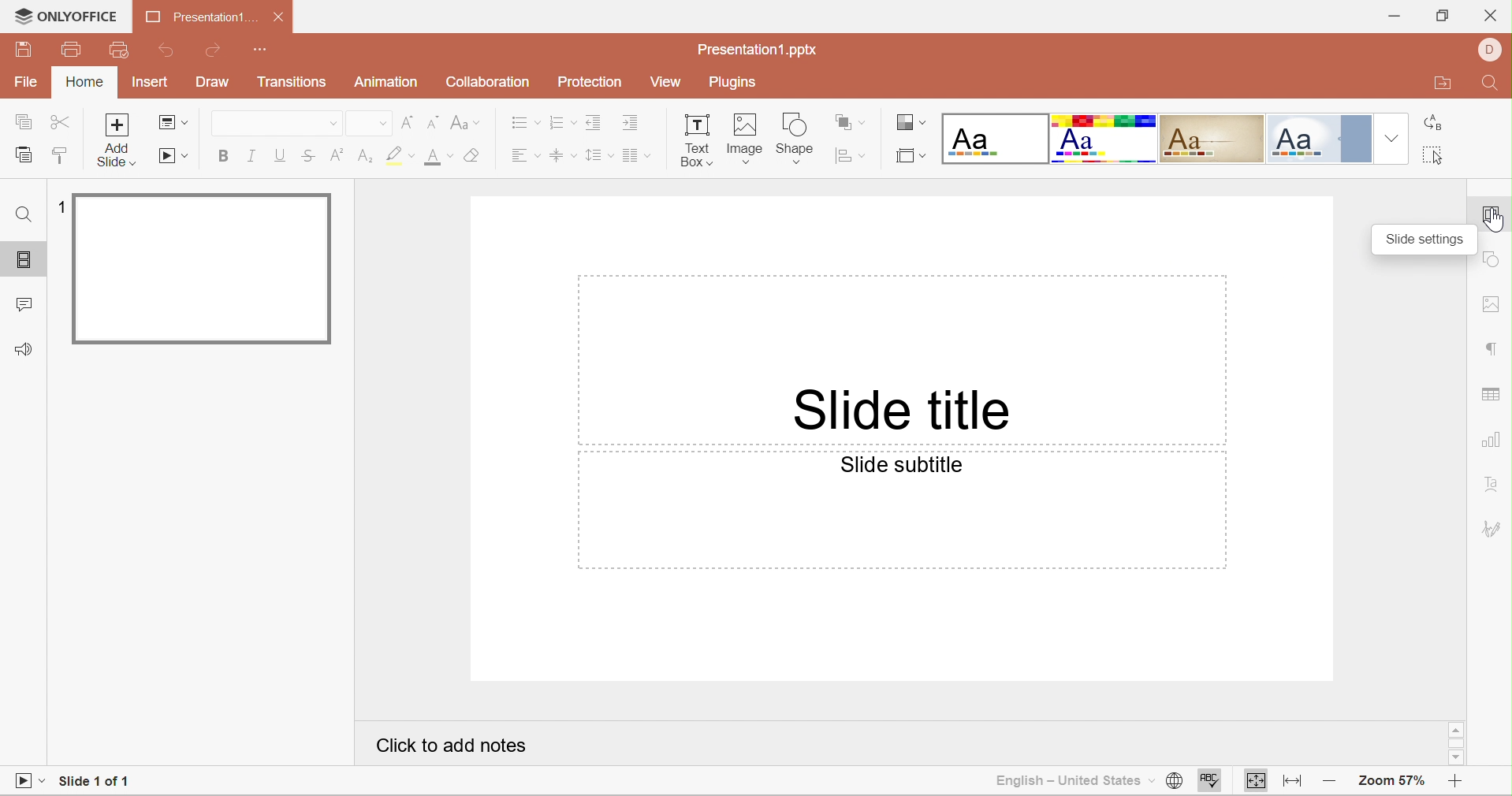 This screenshot has width=1512, height=796. Describe the element at coordinates (795, 136) in the screenshot. I see `Shape` at that location.